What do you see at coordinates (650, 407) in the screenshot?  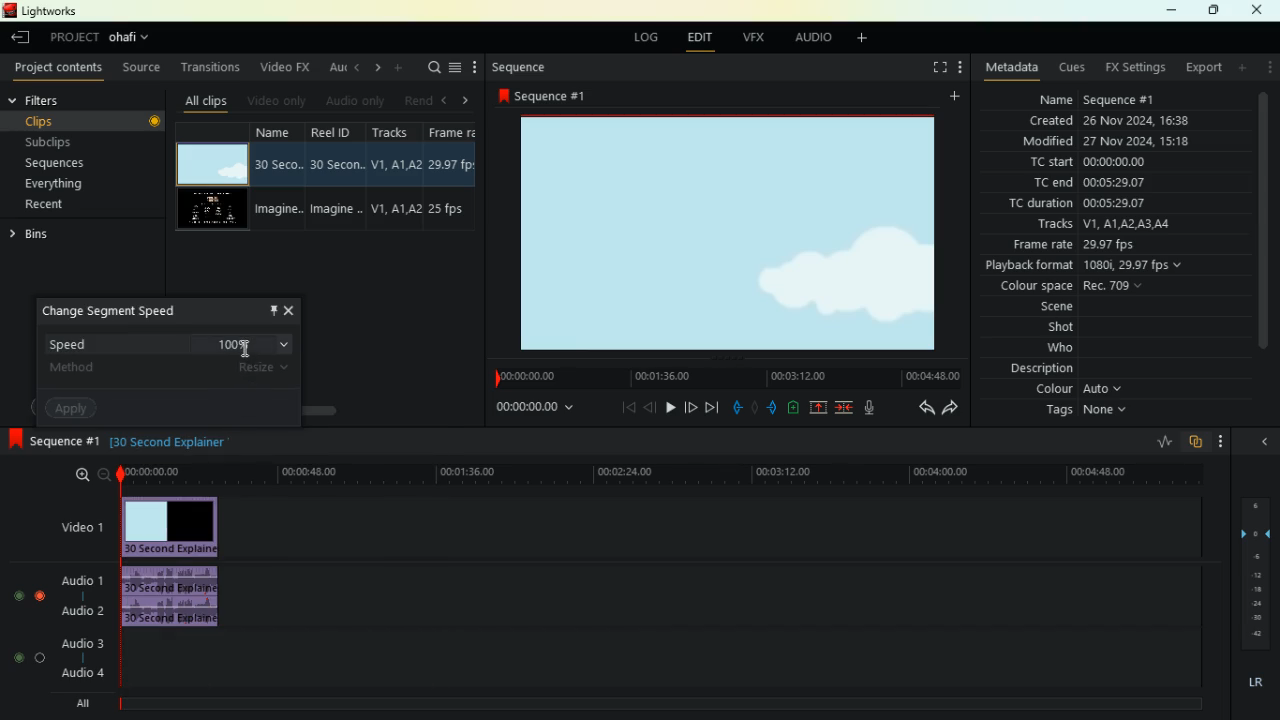 I see `back` at bounding box center [650, 407].